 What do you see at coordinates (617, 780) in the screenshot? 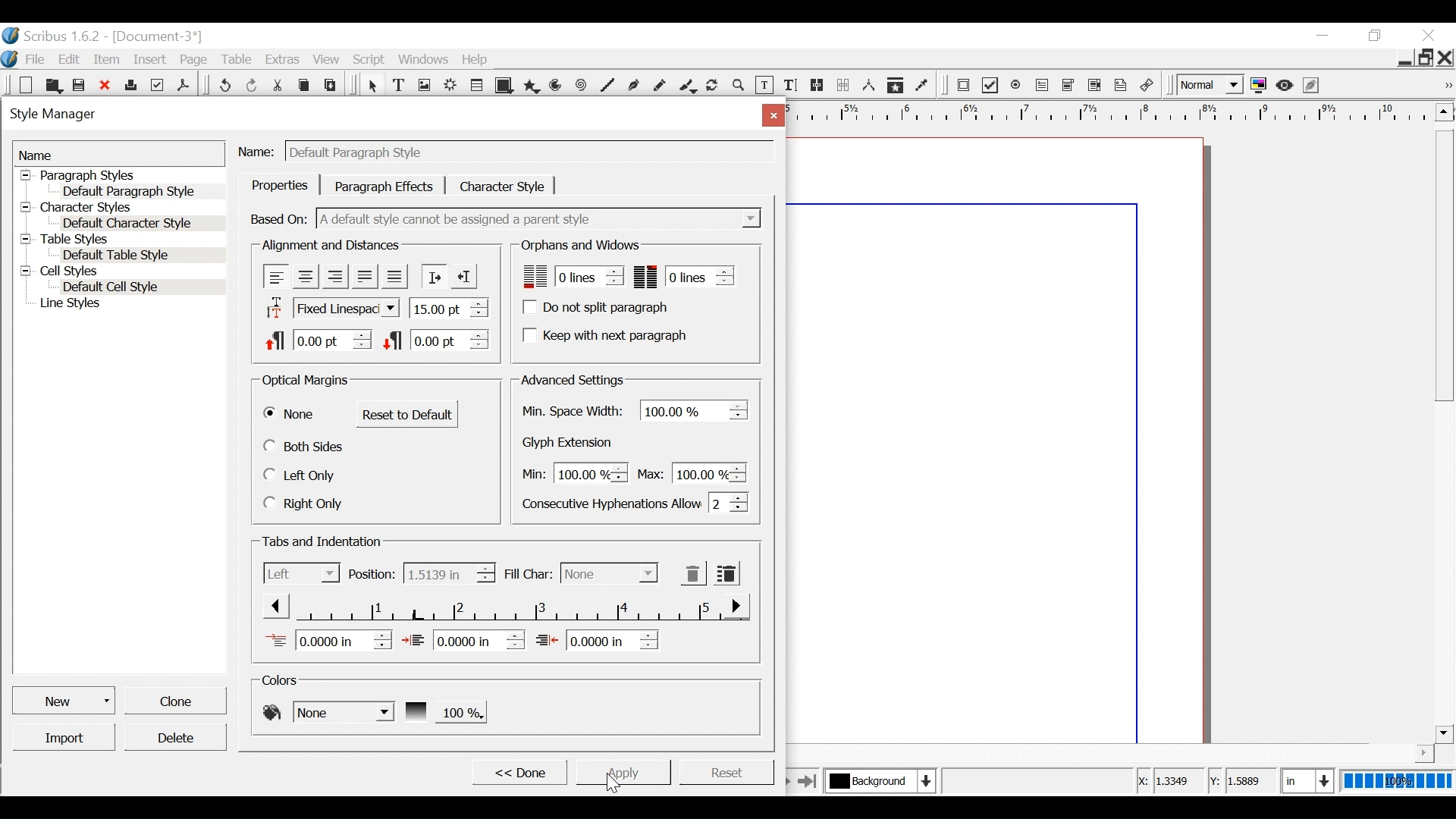
I see `Cursor` at bounding box center [617, 780].